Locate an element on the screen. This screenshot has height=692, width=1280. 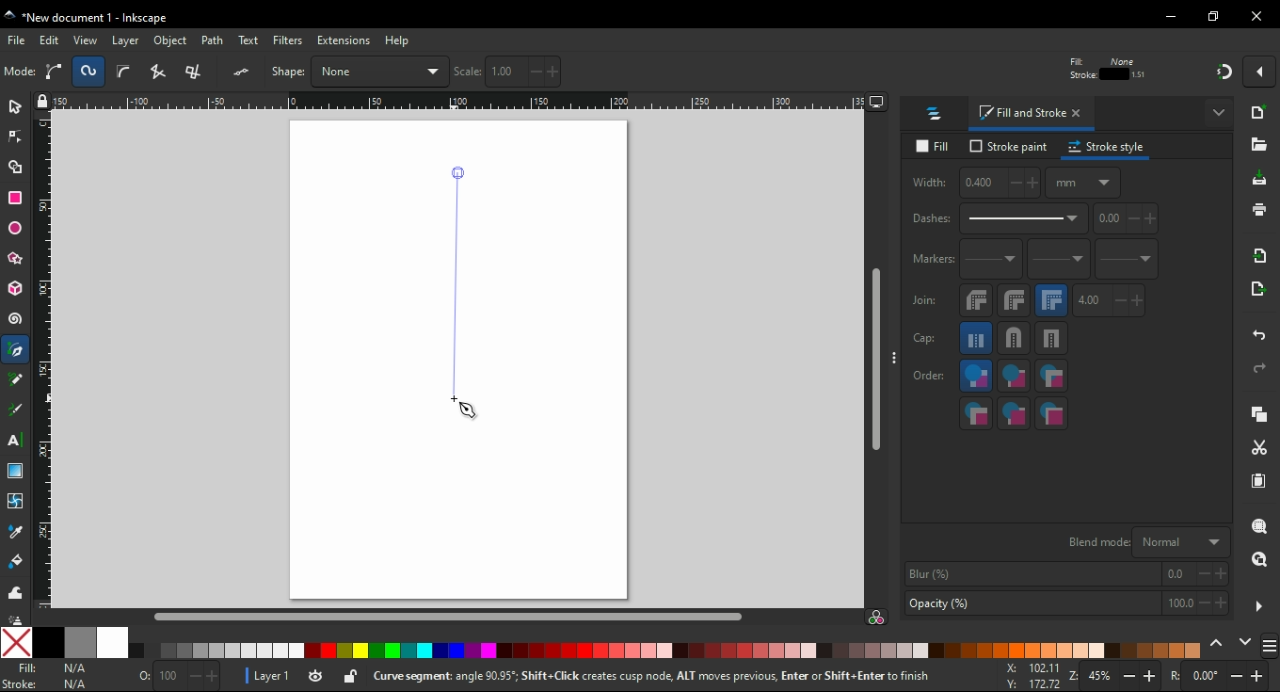
markers is located at coordinates (931, 259).